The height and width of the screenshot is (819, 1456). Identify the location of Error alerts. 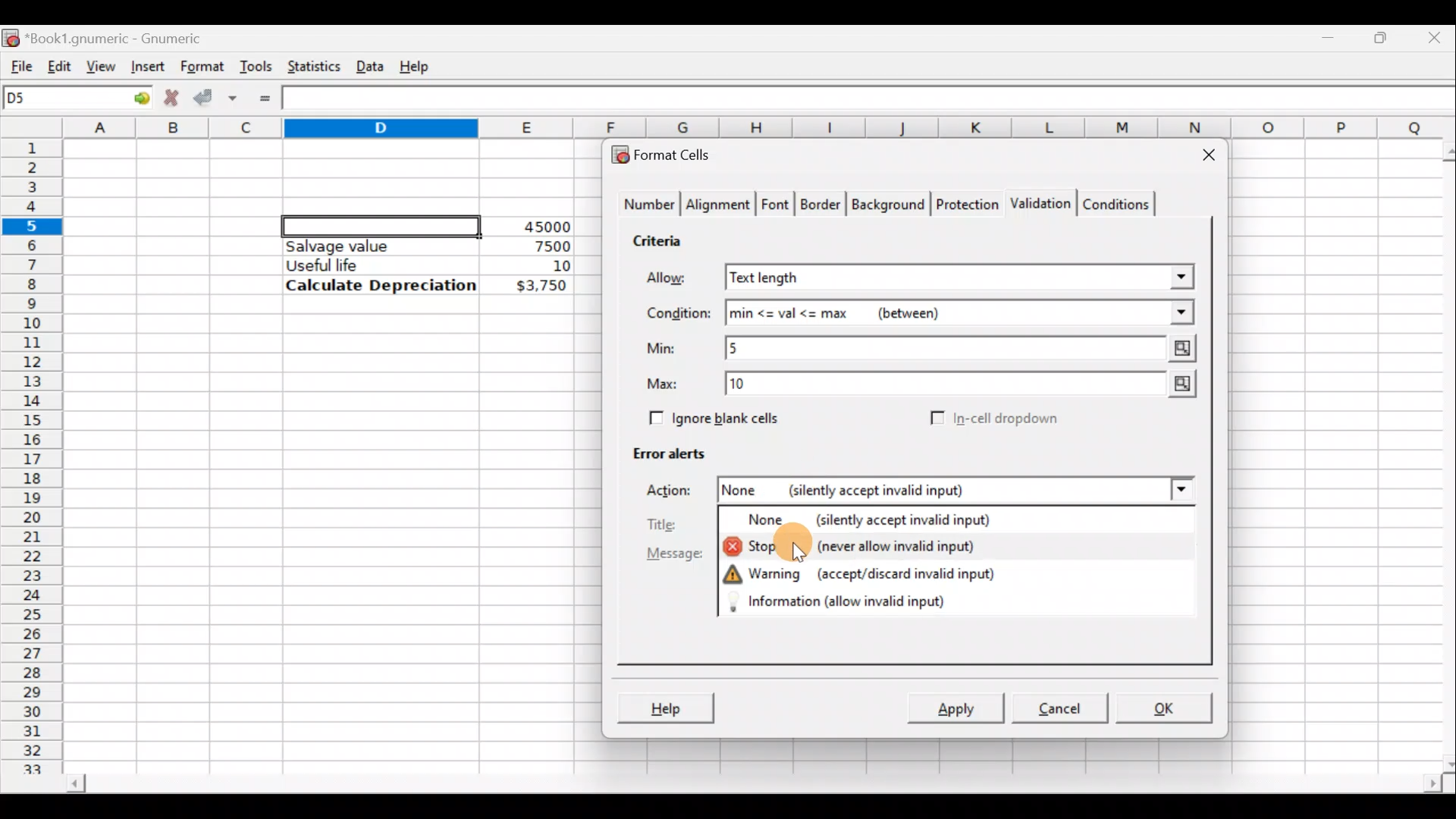
(661, 450).